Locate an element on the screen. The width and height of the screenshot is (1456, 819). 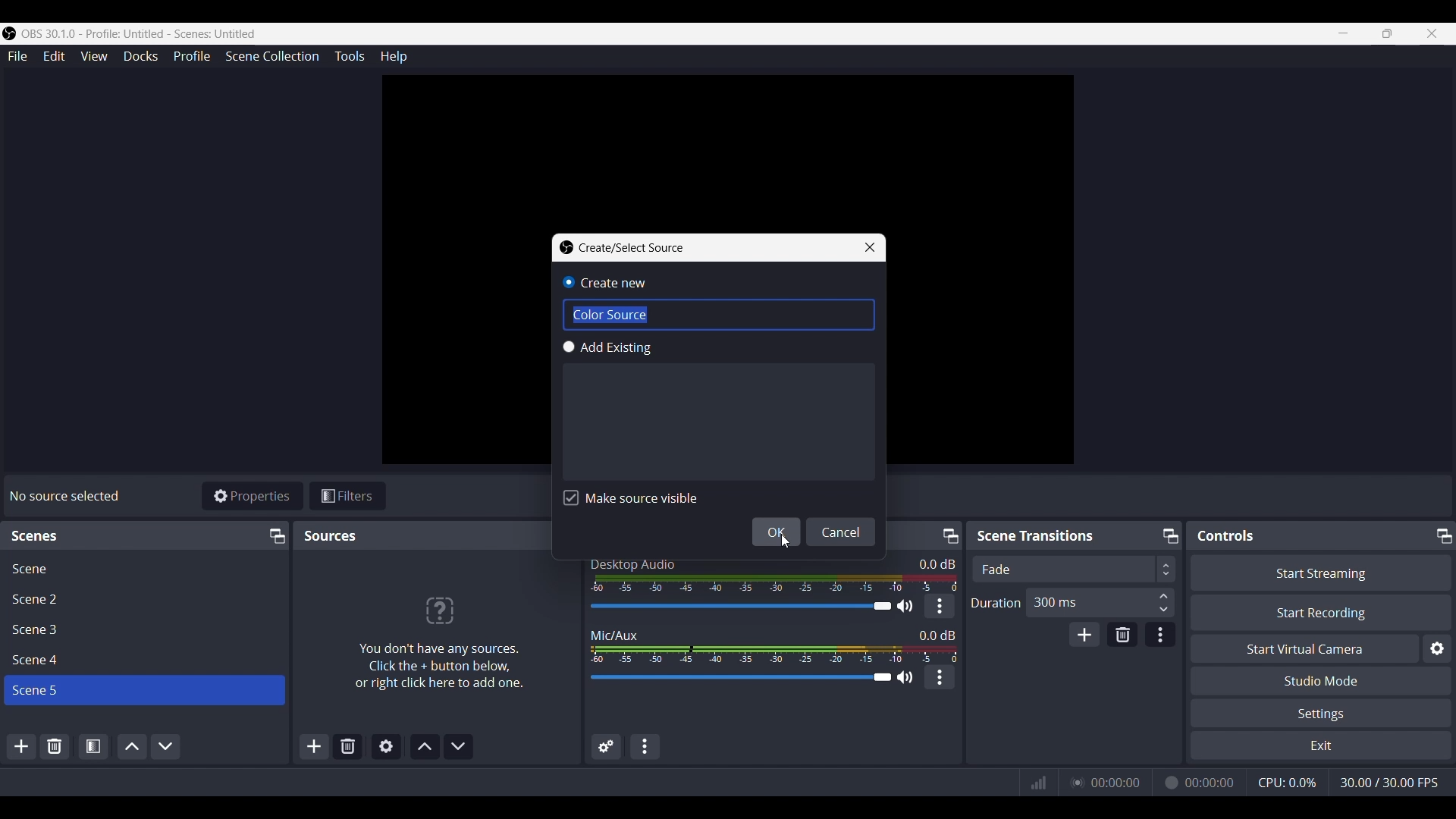
30.00/30.00 FPS is located at coordinates (1389, 782).